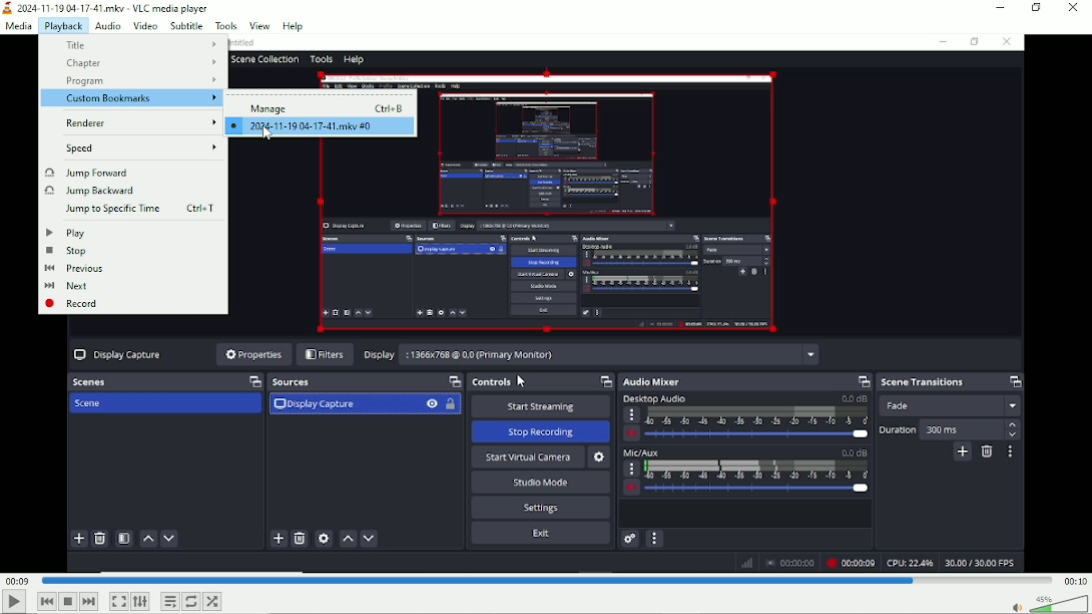 This screenshot has height=614, width=1092. Describe the element at coordinates (134, 123) in the screenshot. I see `renderer` at that location.